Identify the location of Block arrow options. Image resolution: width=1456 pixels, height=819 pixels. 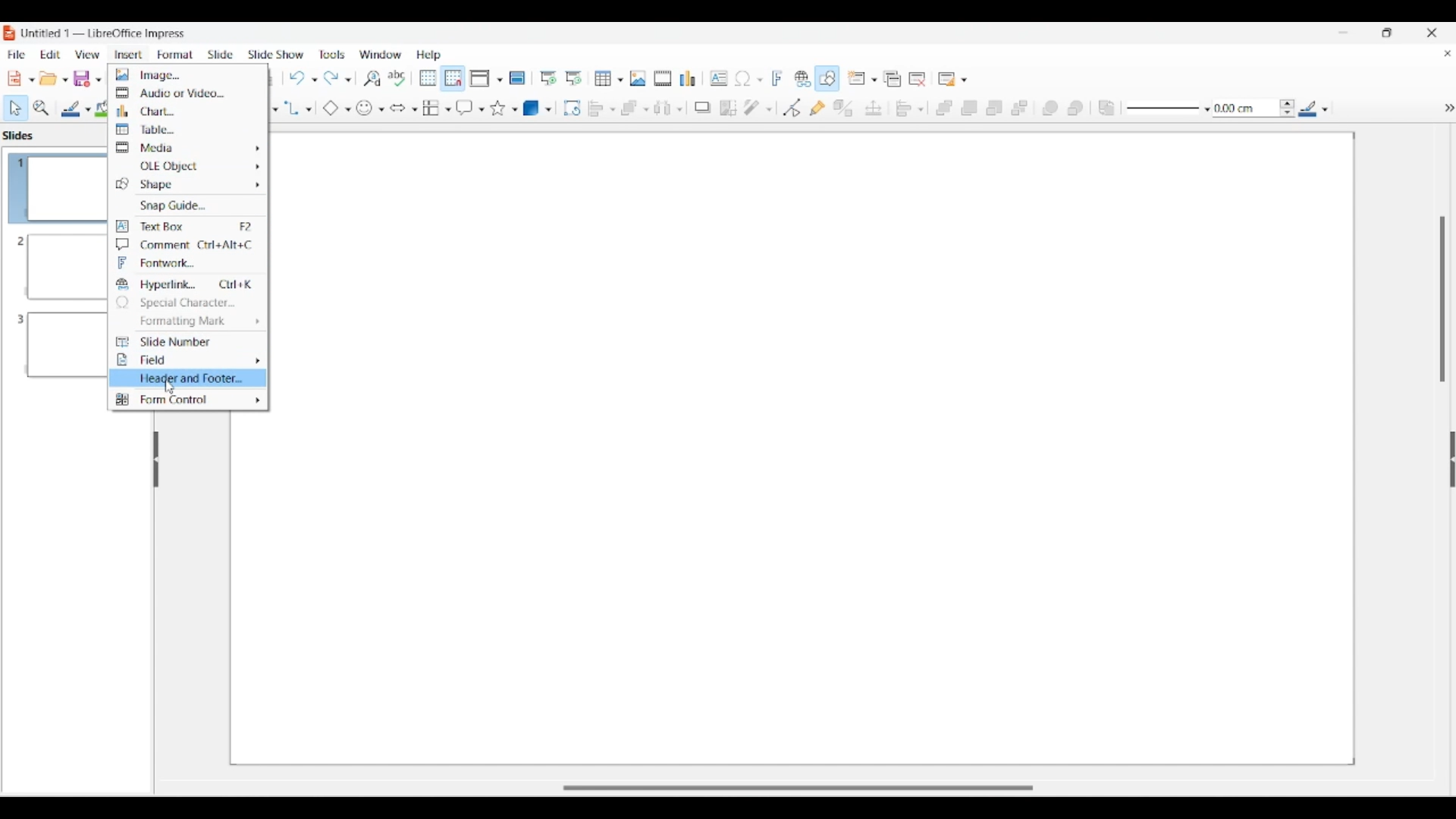
(404, 108).